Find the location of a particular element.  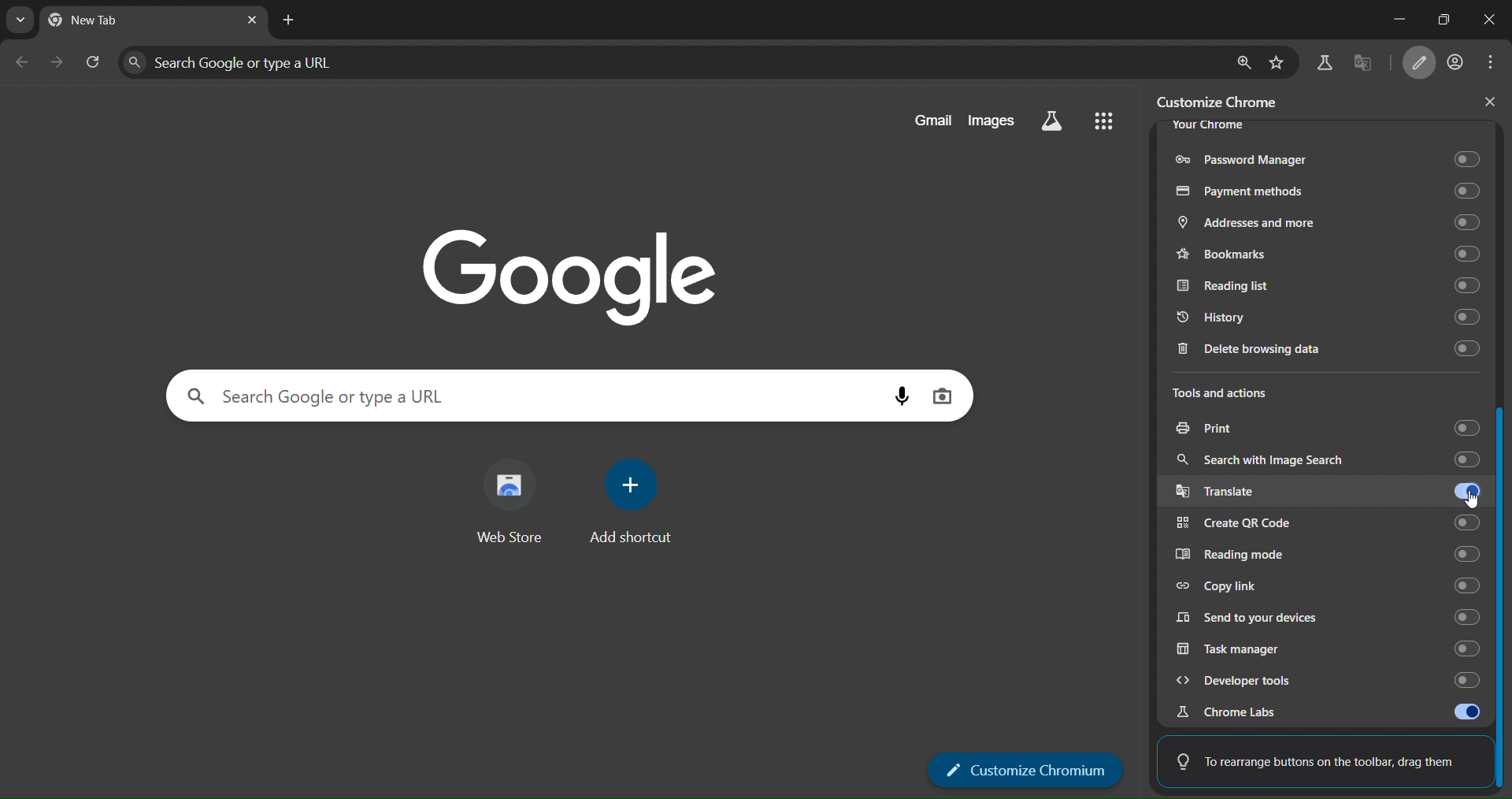

current tab is located at coordinates (109, 22).